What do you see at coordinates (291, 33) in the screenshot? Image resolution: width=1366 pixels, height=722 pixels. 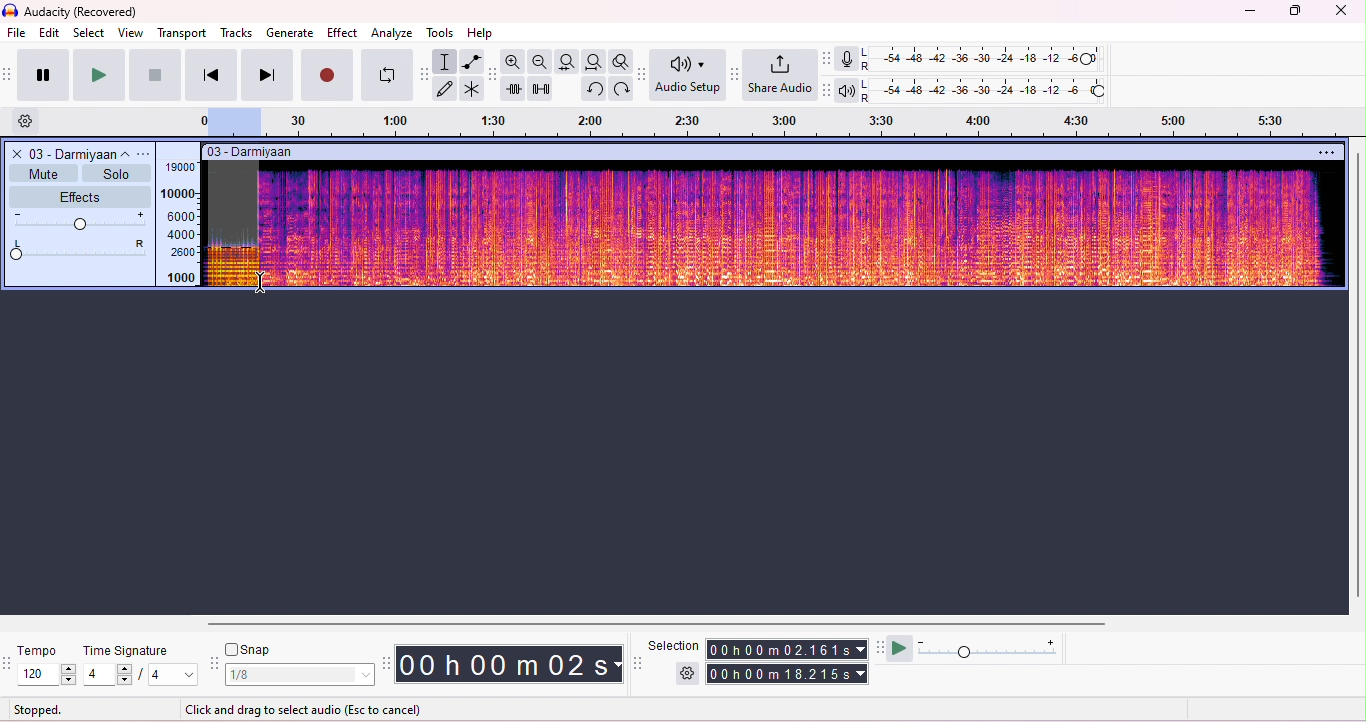 I see `generate` at bounding box center [291, 33].